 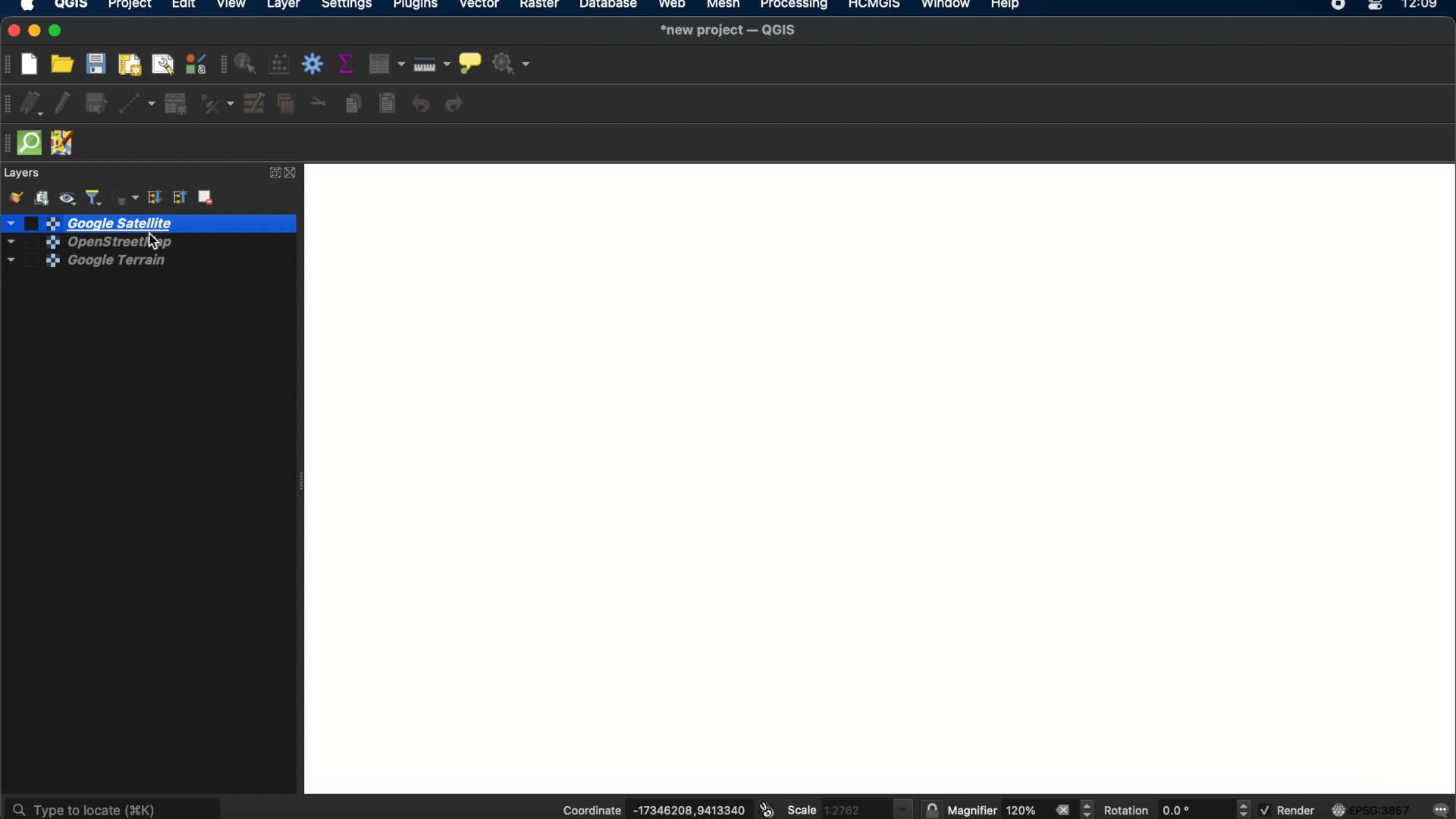 I want to click on help, so click(x=1008, y=7).